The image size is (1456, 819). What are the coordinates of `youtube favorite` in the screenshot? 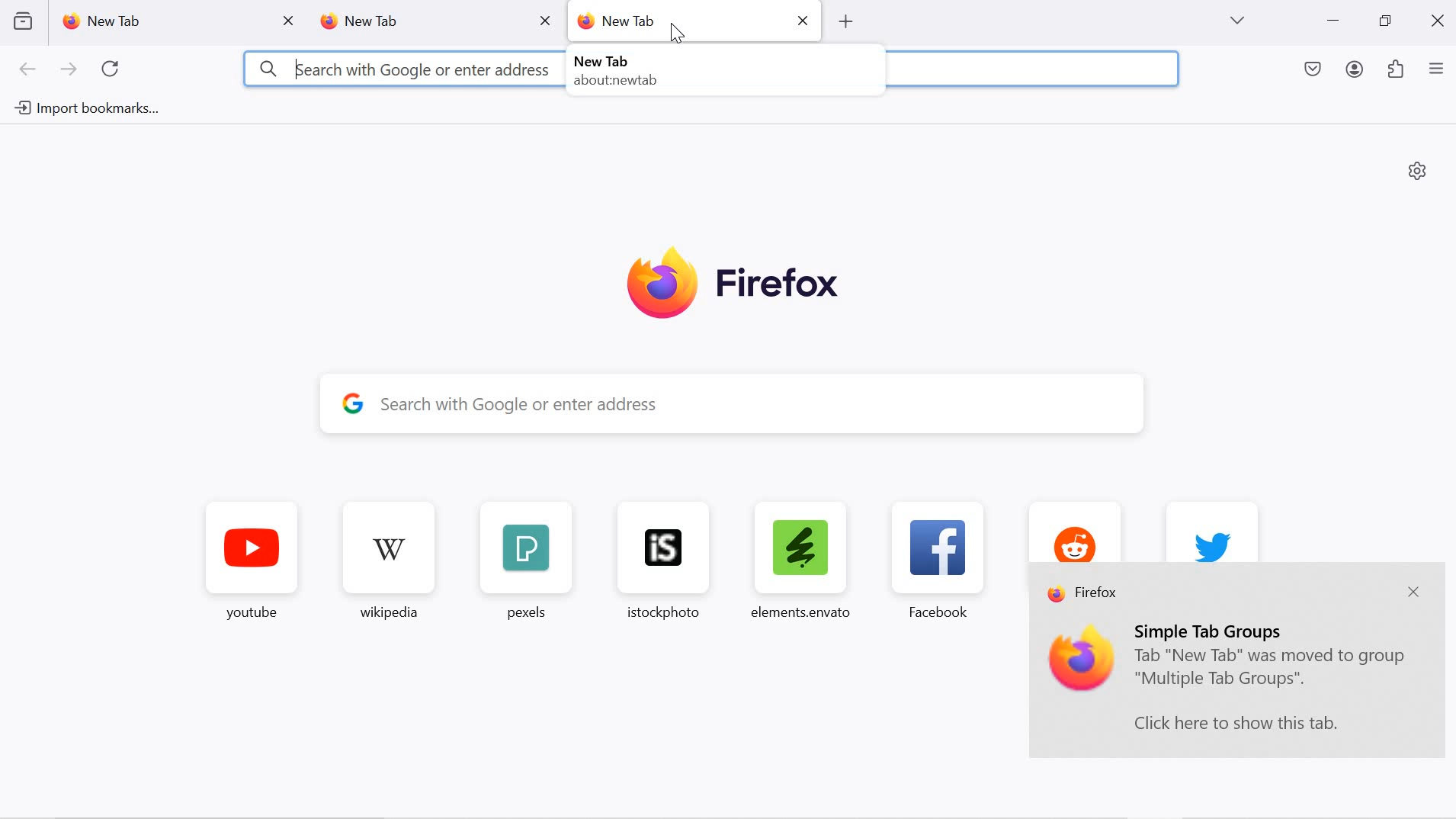 It's located at (252, 564).